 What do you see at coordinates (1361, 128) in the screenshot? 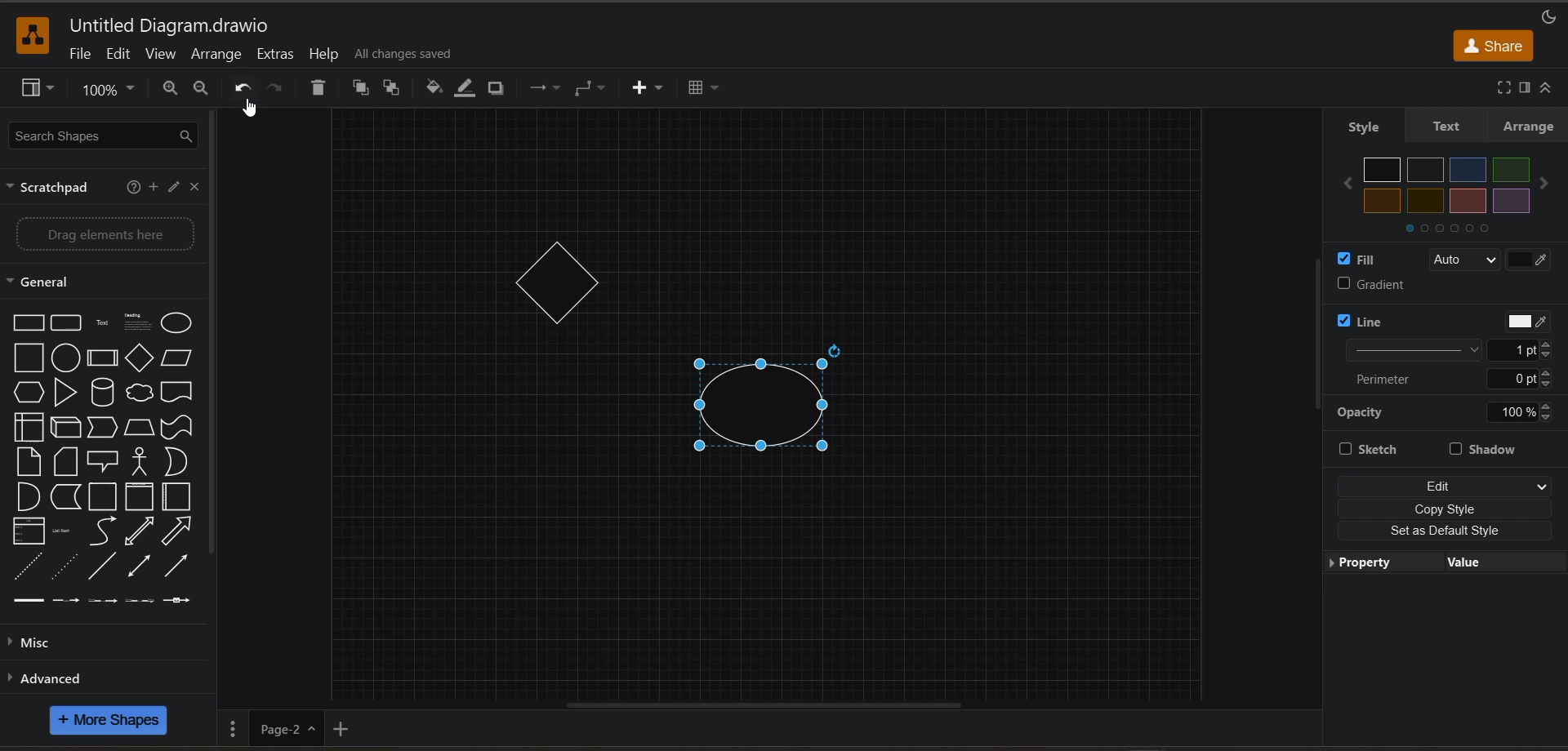
I see `style` at bounding box center [1361, 128].